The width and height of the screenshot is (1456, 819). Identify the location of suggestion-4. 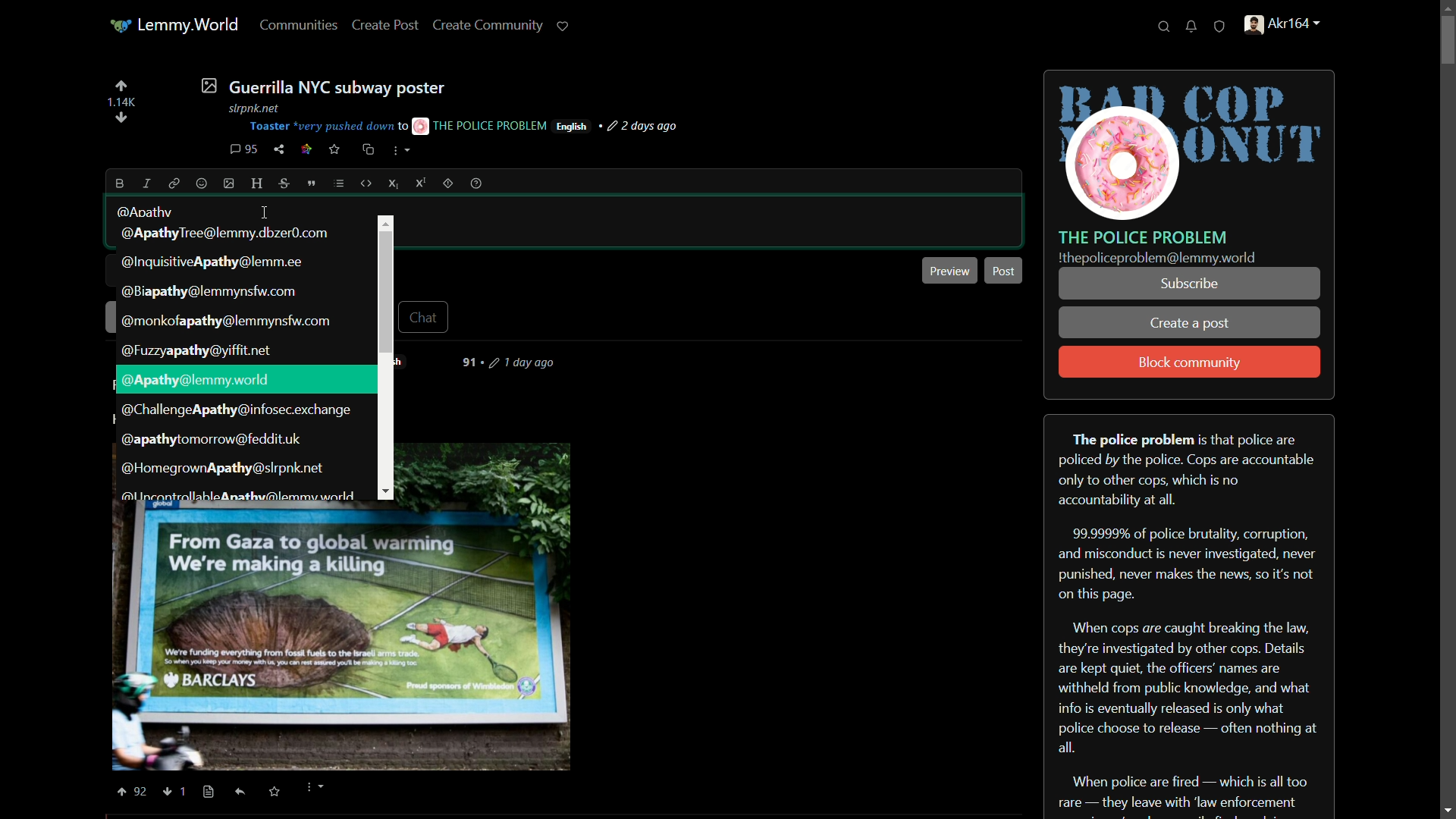
(228, 322).